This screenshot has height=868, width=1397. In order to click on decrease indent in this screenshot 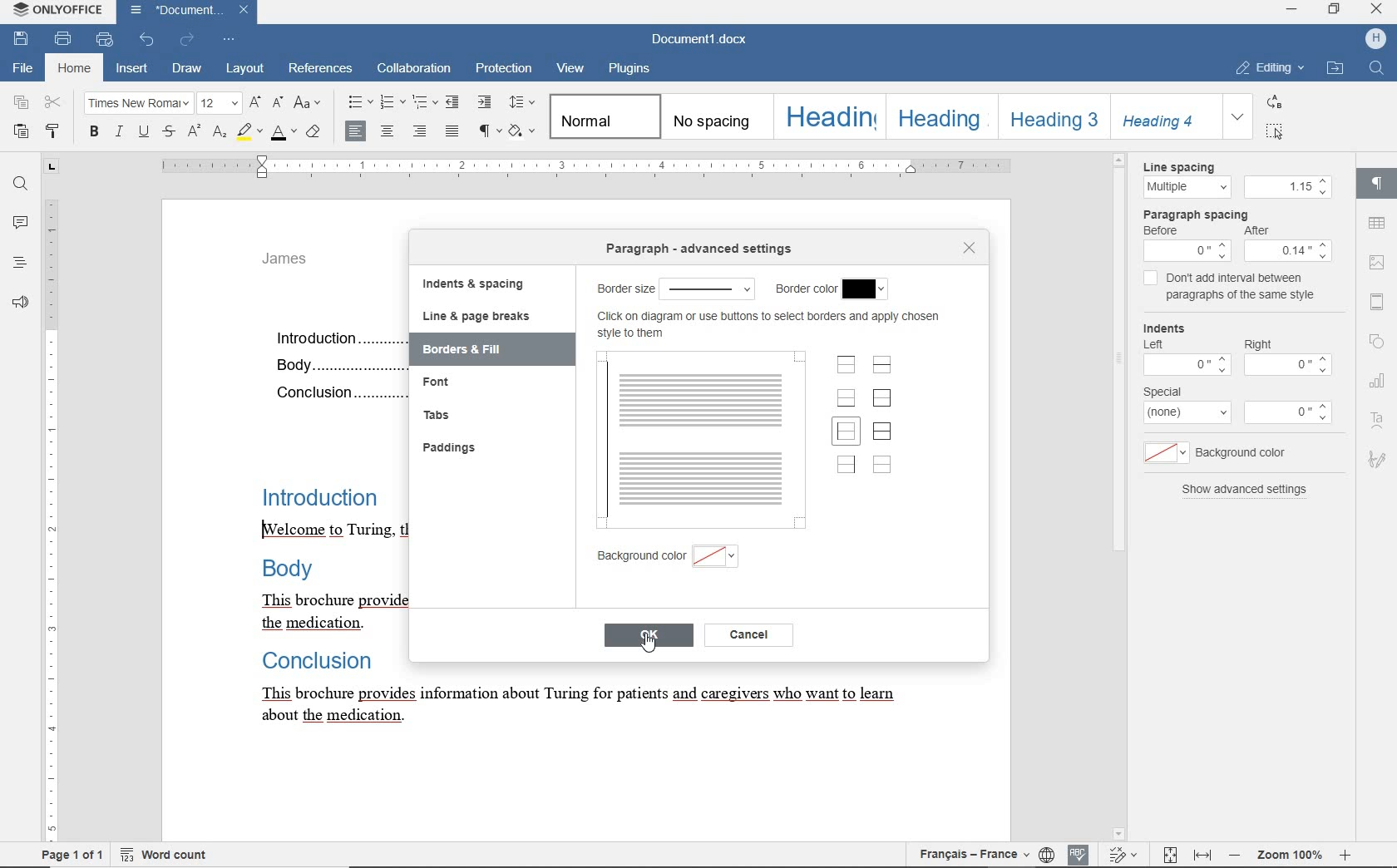, I will do `click(453, 102)`.